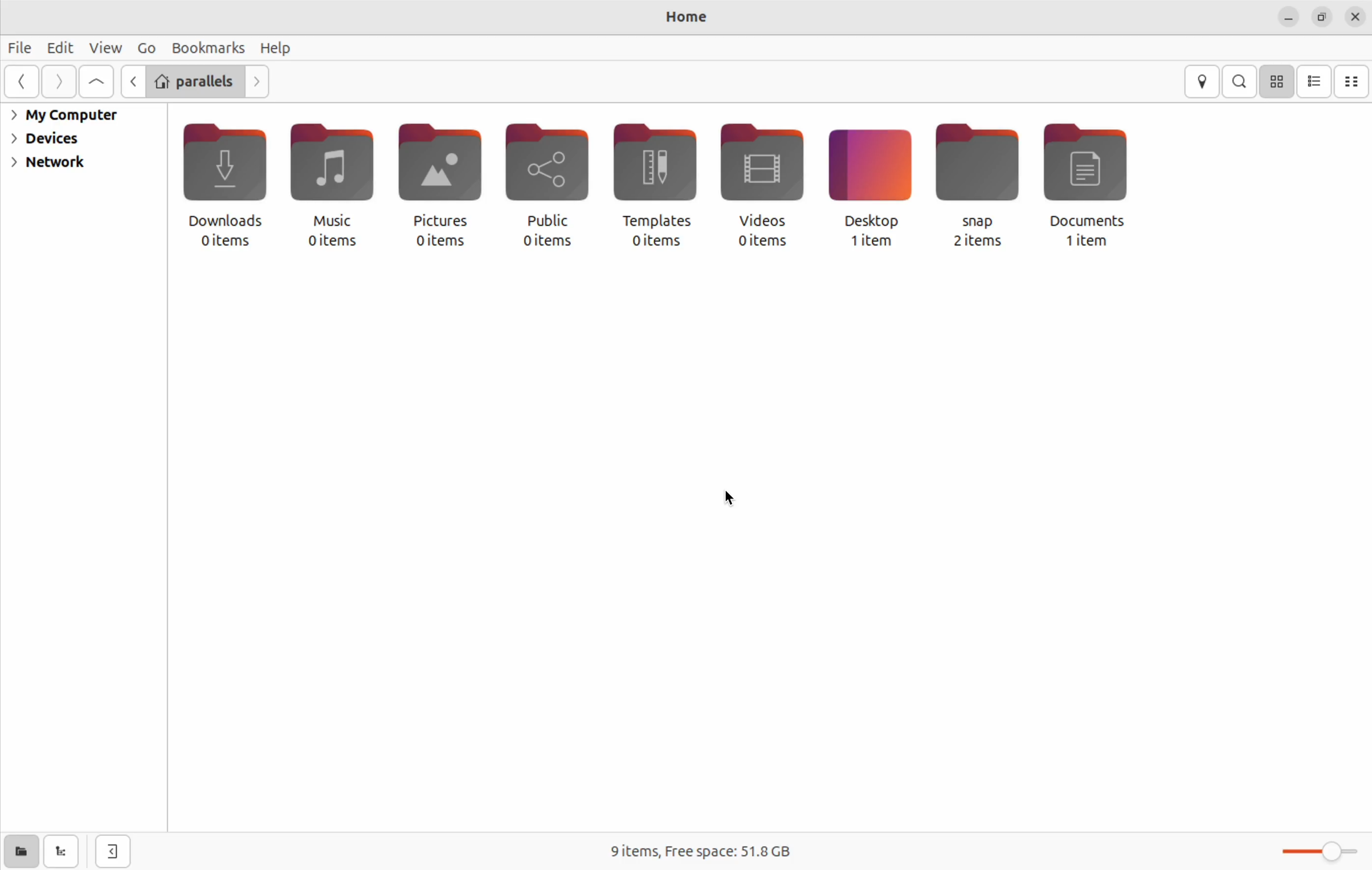 The image size is (1372, 870). I want to click on go back, so click(130, 81).